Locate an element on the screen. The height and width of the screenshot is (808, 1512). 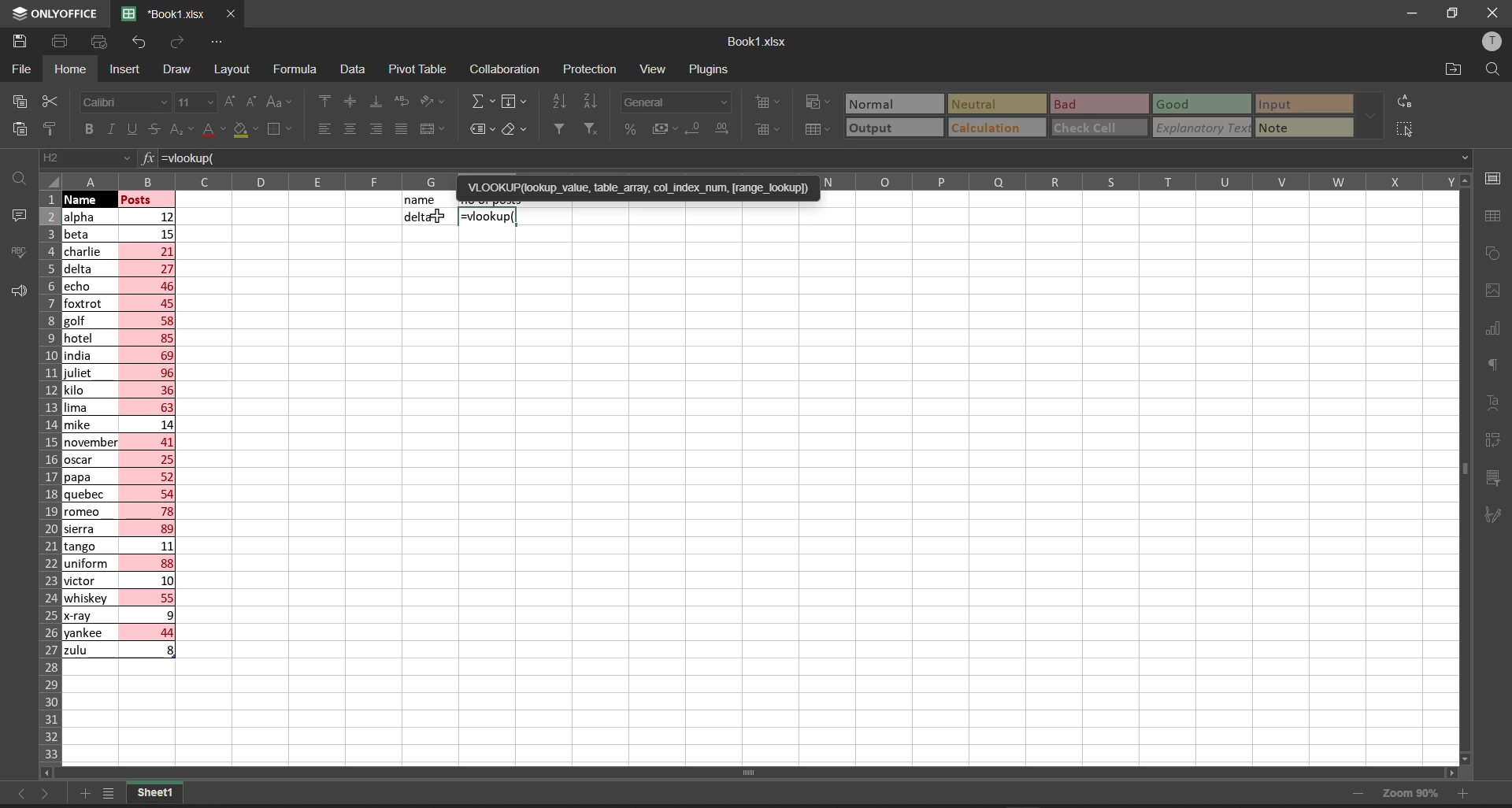
named ranges is located at coordinates (481, 130).